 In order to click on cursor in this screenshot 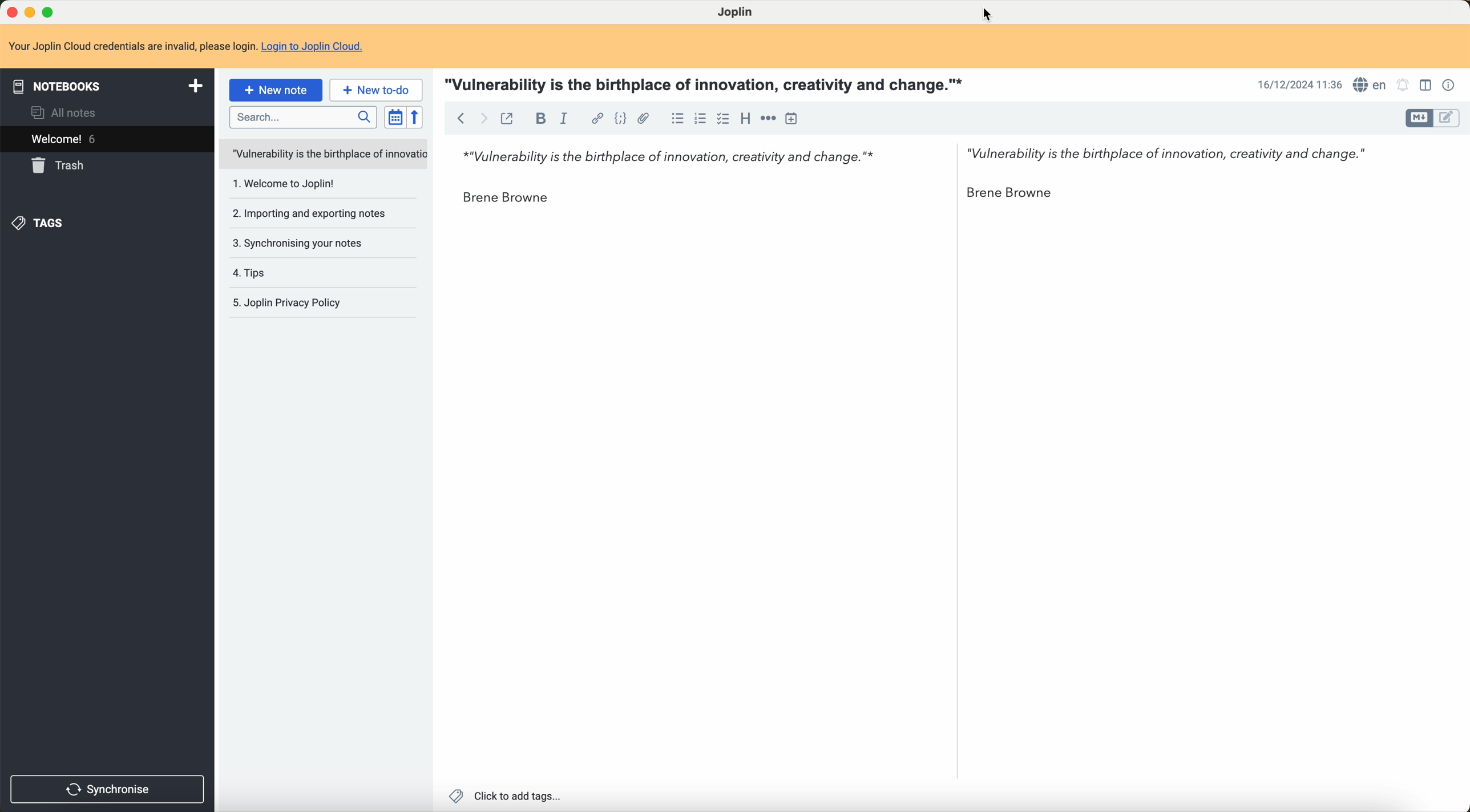, I will do `click(990, 14)`.